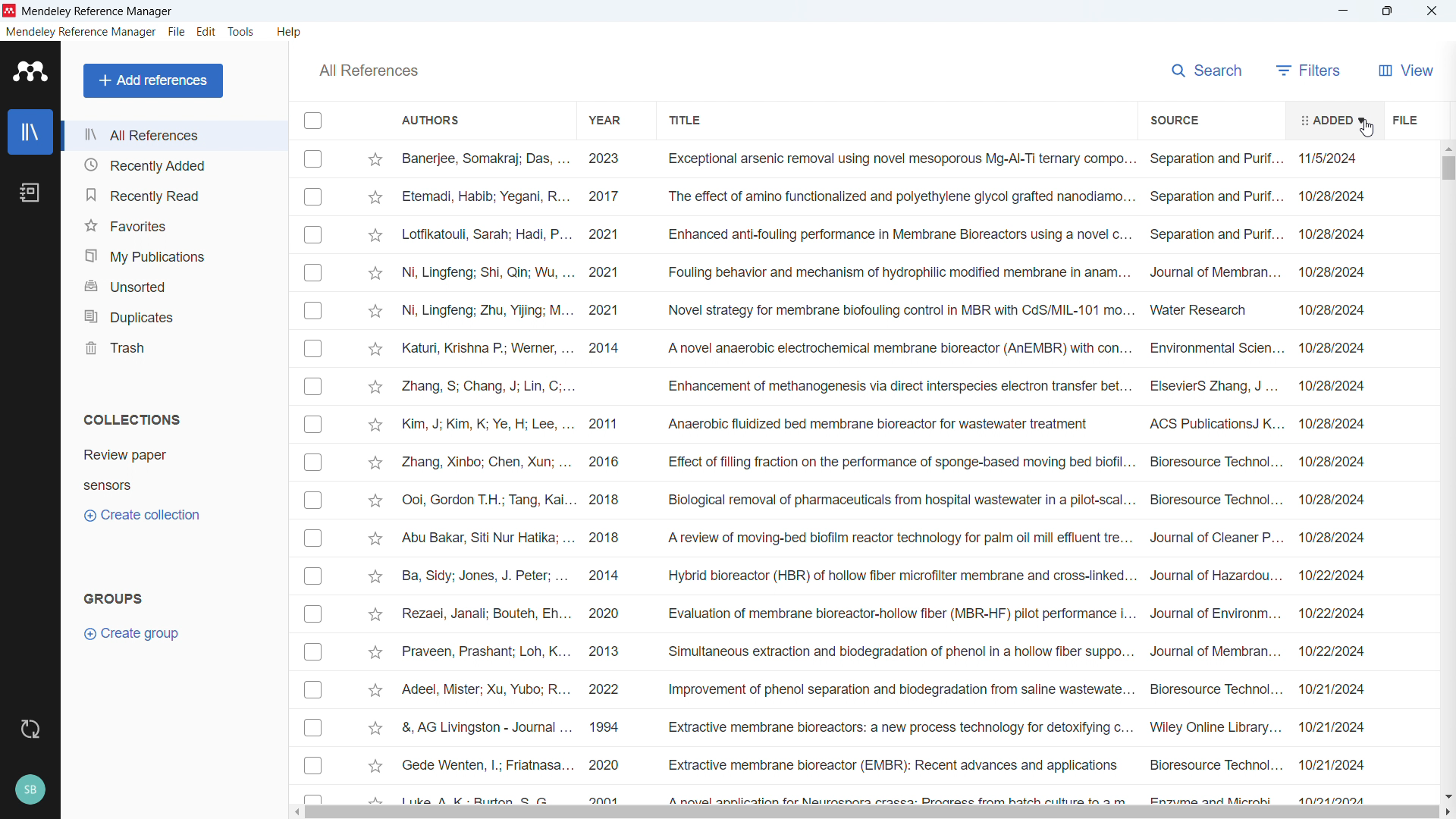 The height and width of the screenshot is (819, 1456). Describe the element at coordinates (30, 71) in the screenshot. I see `logo` at that location.